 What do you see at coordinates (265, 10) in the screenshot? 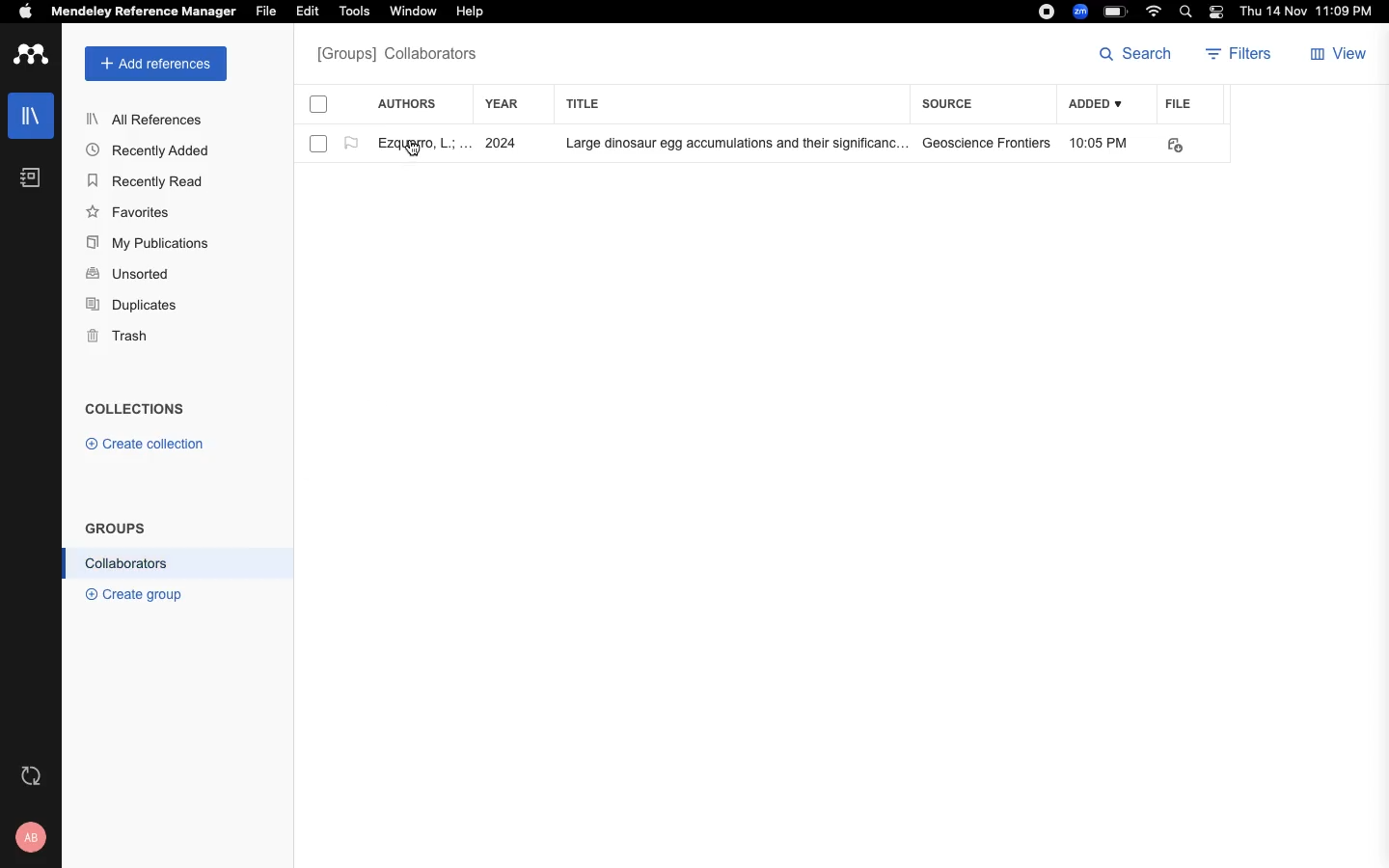
I see `File` at bounding box center [265, 10].